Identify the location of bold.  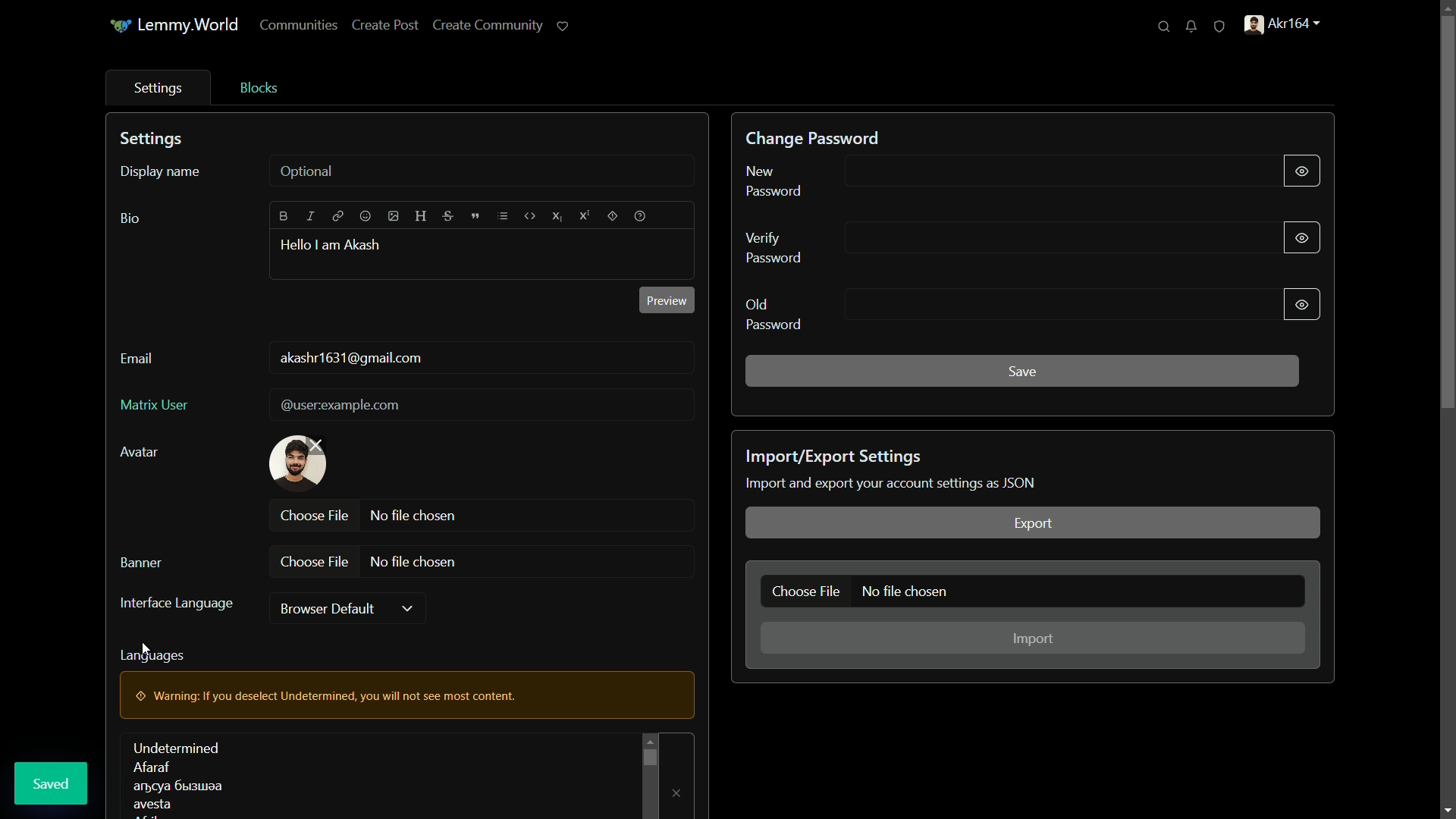
(284, 217).